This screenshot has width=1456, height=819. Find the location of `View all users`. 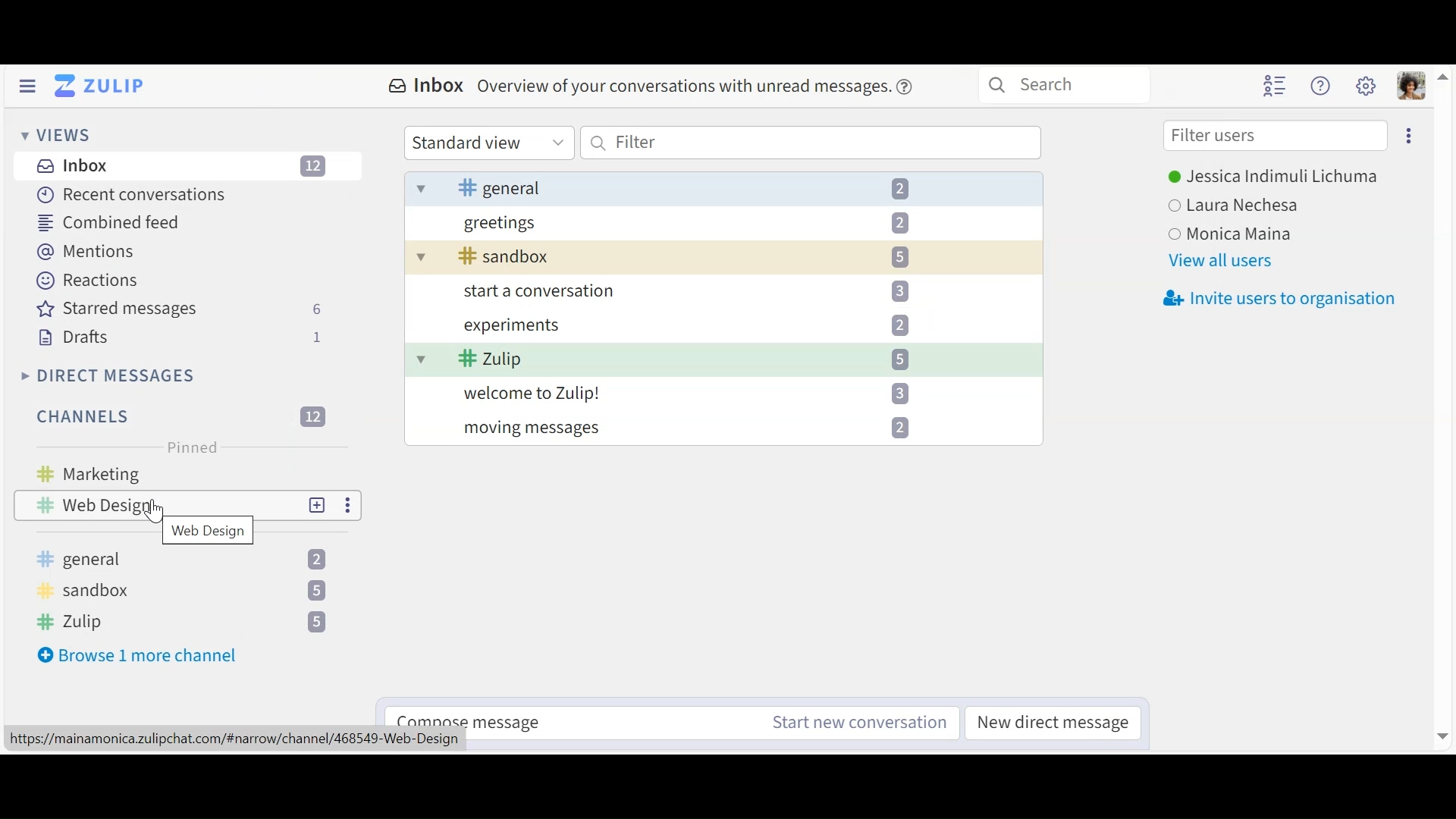

View all users is located at coordinates (1247, 265).